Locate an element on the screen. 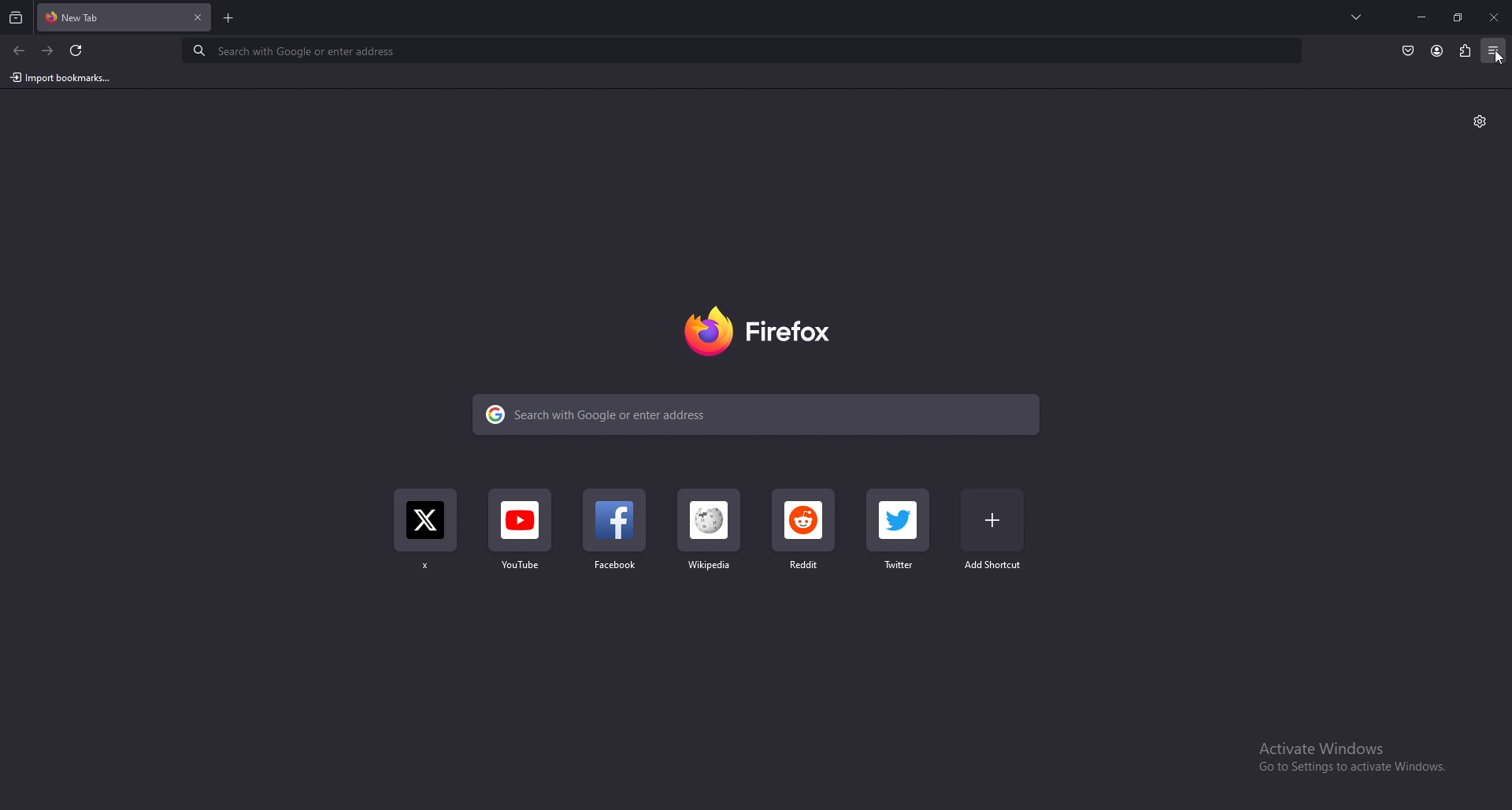 The width and height of the screenshot is (1512, 810). customize is located at coordinates (1480, 121).